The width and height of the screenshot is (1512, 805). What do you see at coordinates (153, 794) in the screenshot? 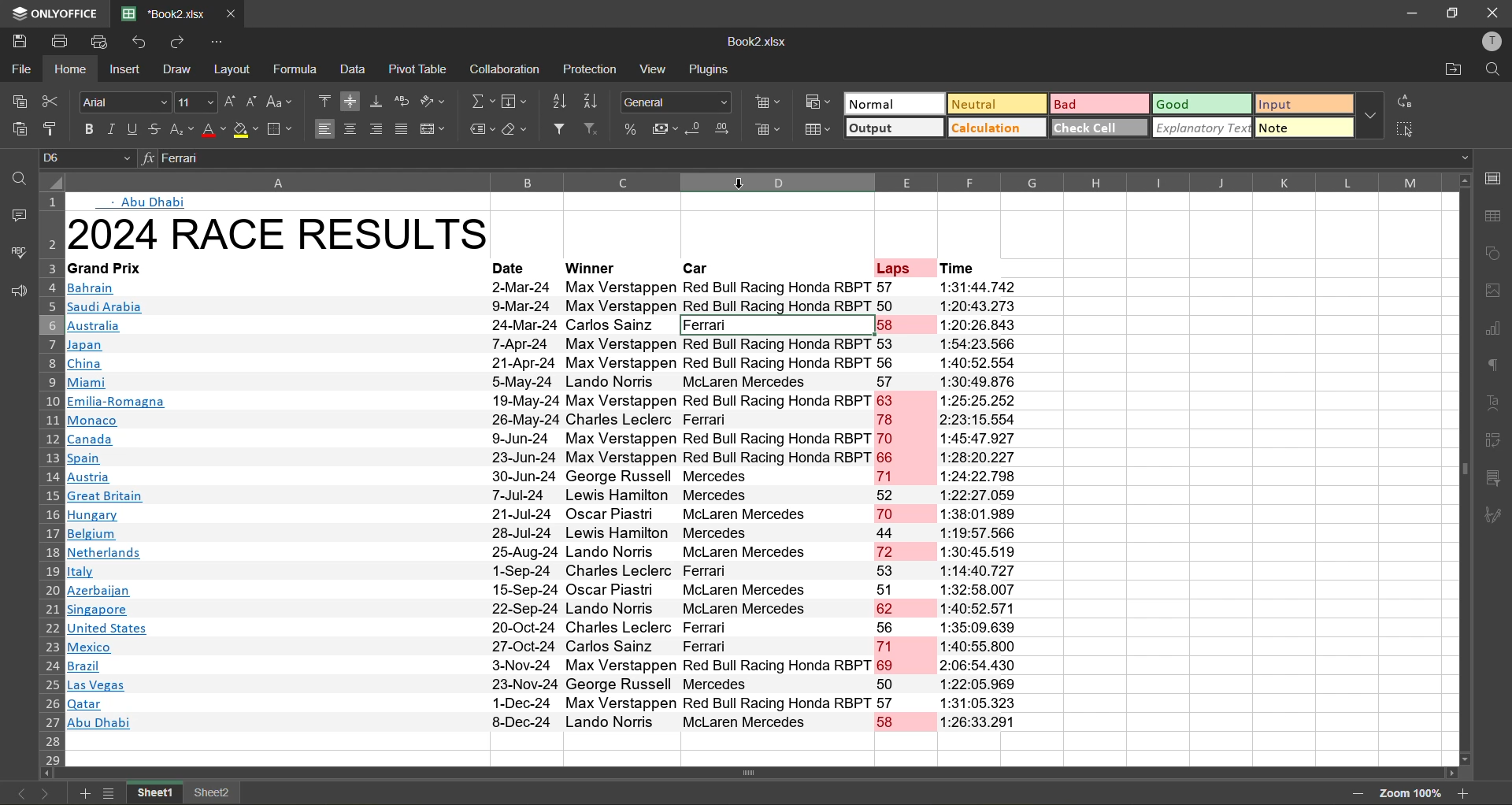
I see `sheet1` at bounding box center [153, 794].